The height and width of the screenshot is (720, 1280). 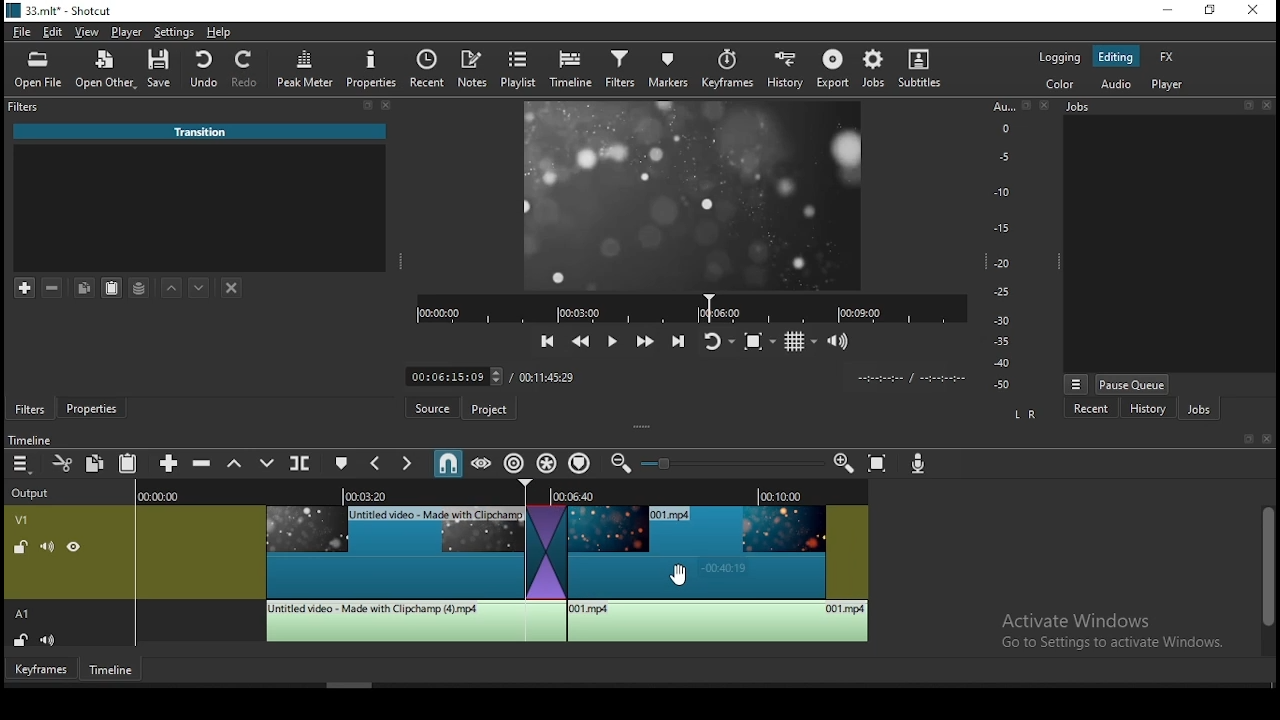 I want to click on (un)mute, so click(x=43, y=547).